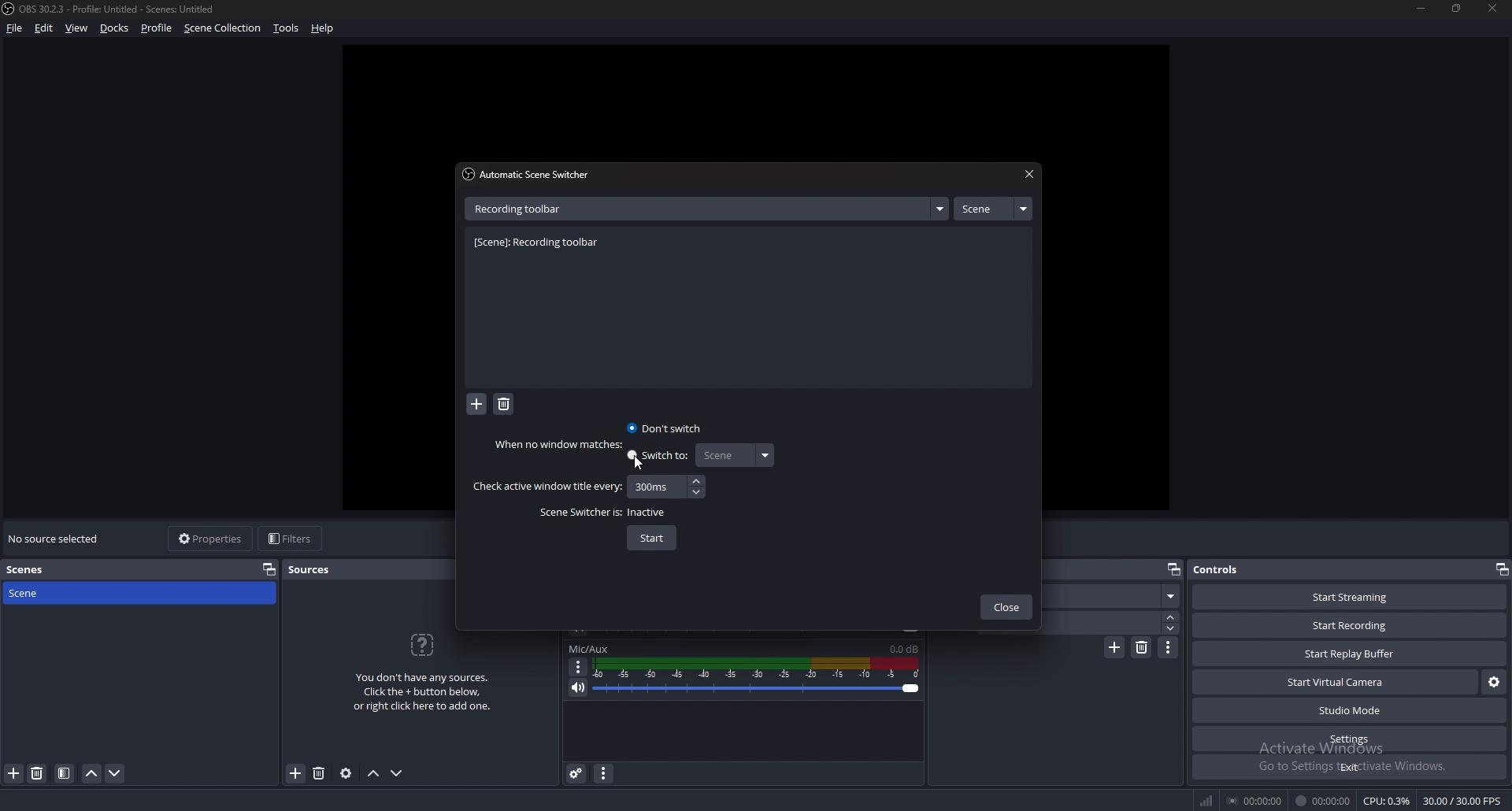 The width and height of the screenshot is (1512, 811). What do you see at coordinates (16, 28) in the screenshot?
I see `file` at bounding box center [16, 28].